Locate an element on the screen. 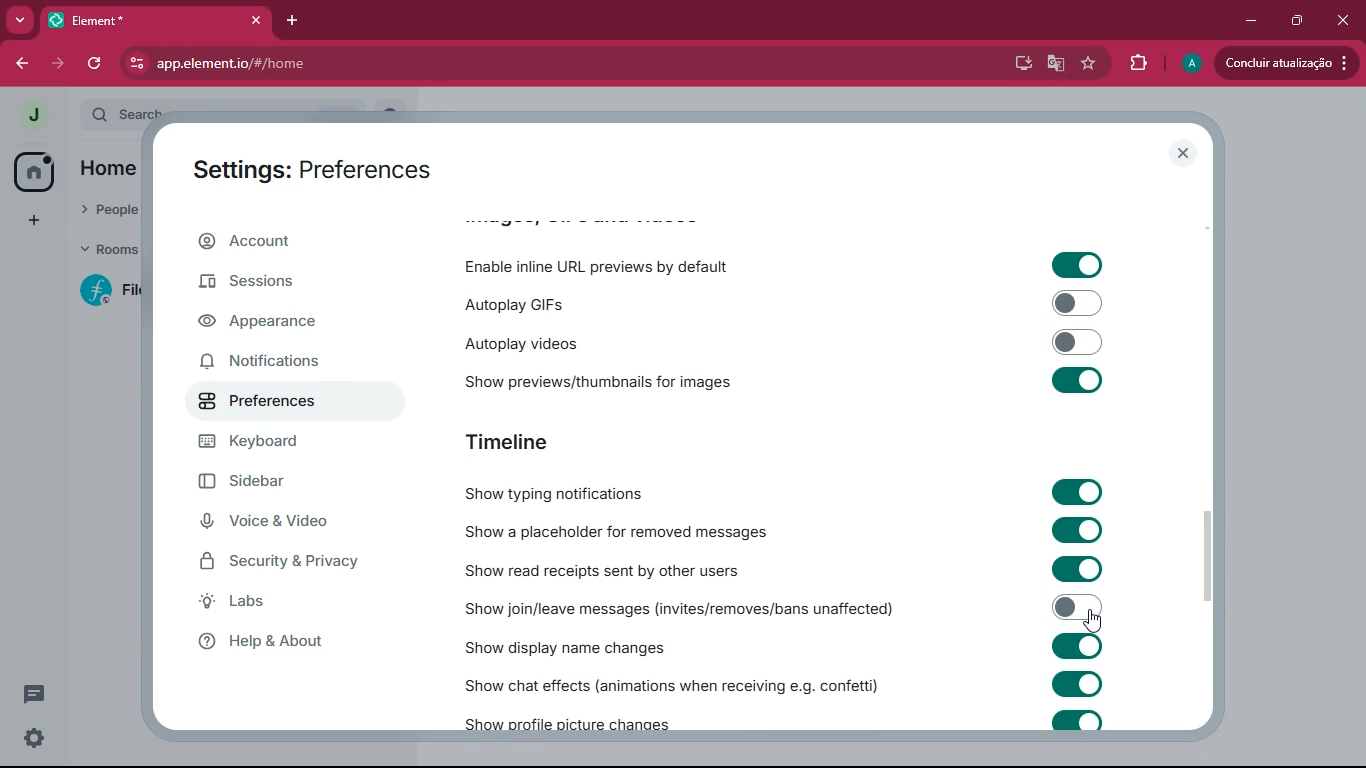 This screenshot has width=1366, height=768. autoplay GIFs is located at coordinates (558, 303).